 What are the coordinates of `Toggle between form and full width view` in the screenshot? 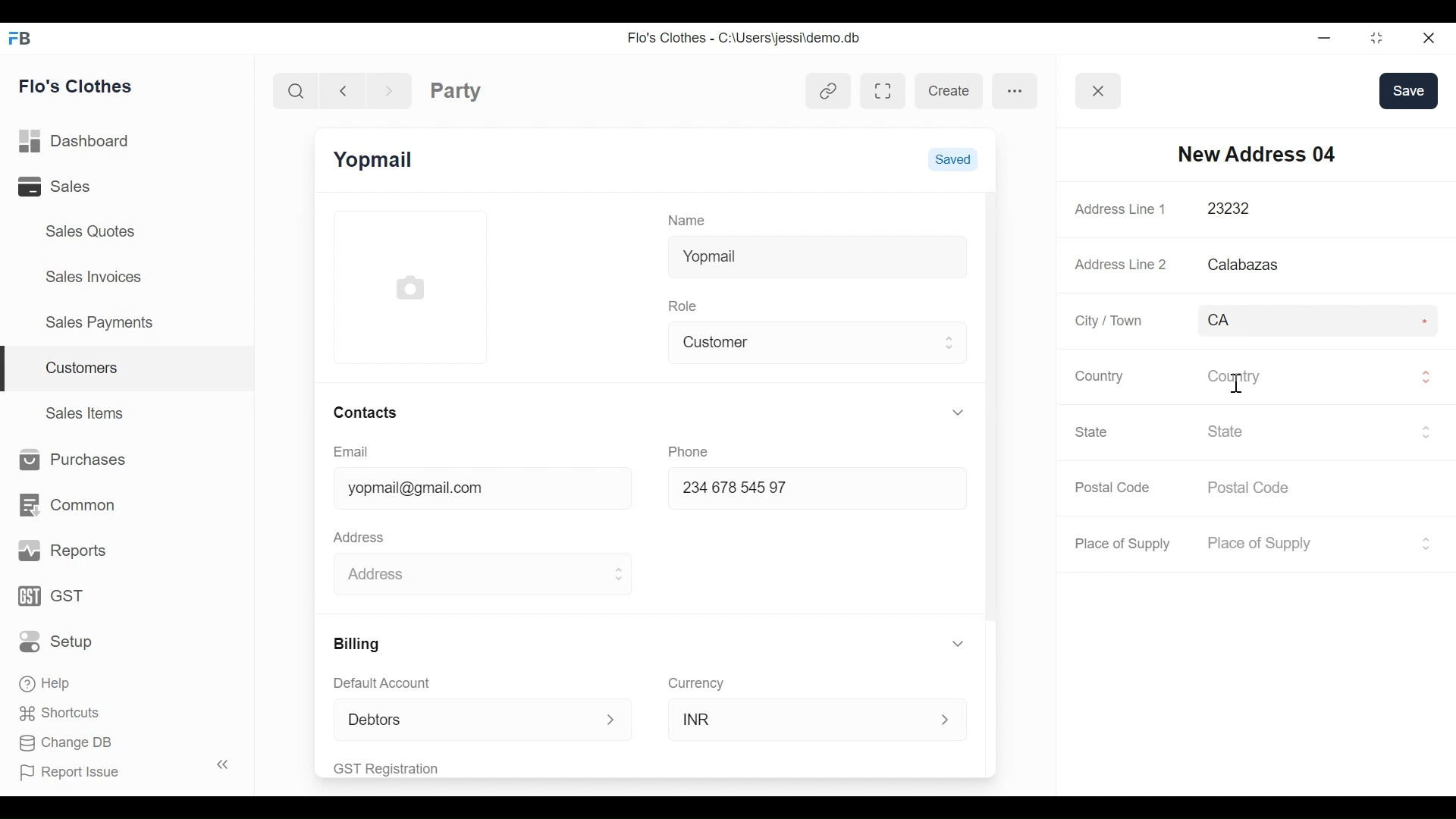 It's located at (883, 91).